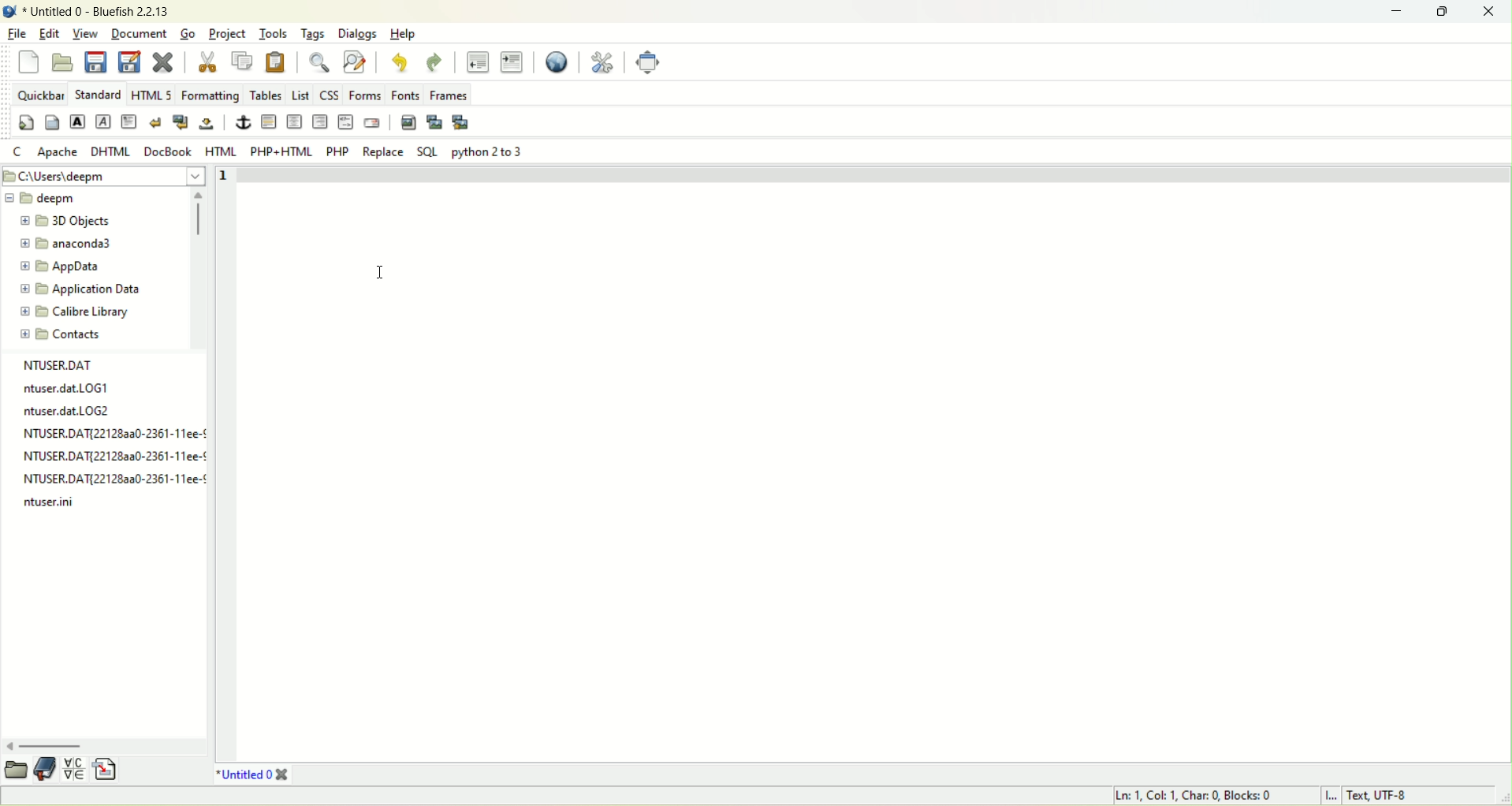  Describe the element at coordinates (80, 289) in the screenshot. I see `folder name` at that location.